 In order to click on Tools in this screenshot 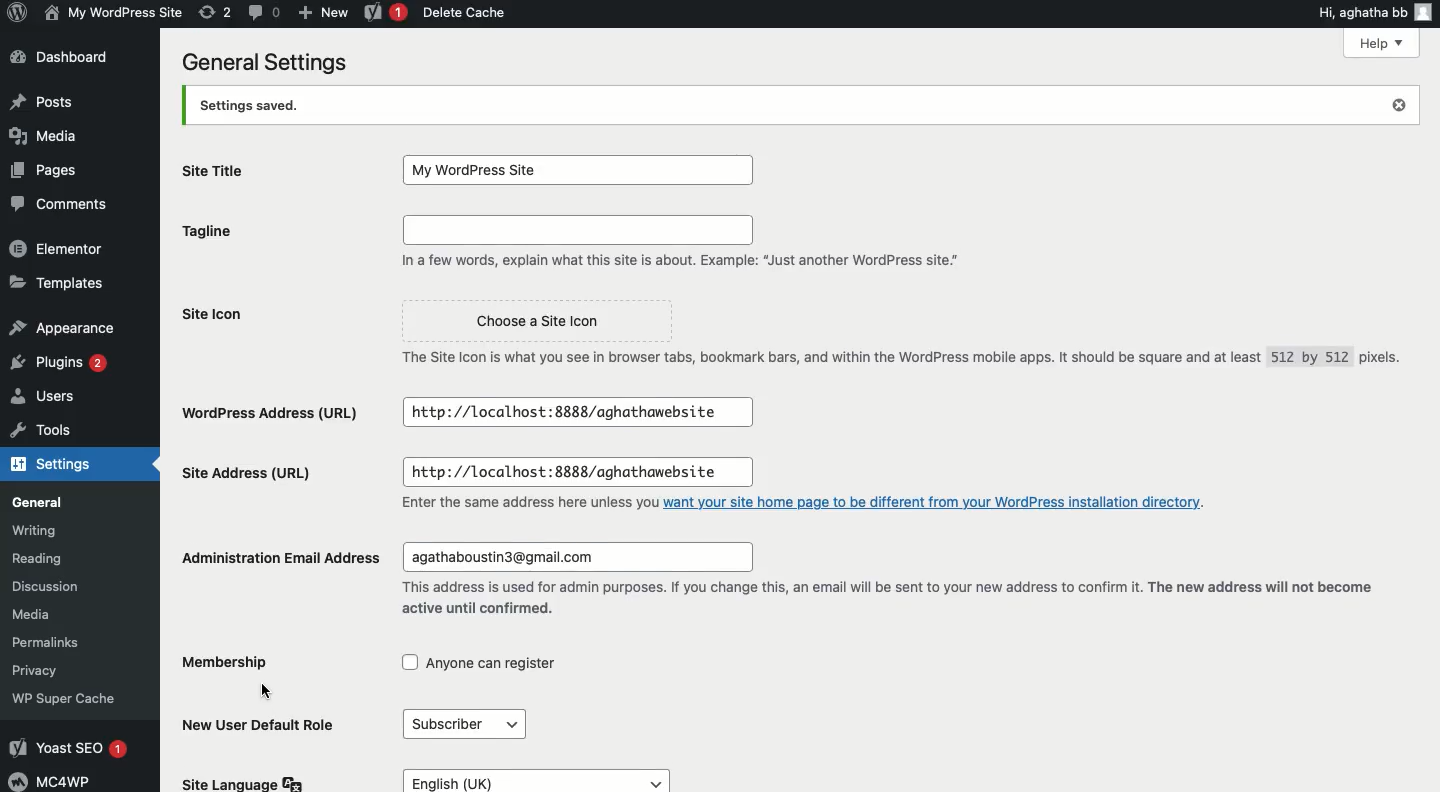, I will do `click(44, 428)`.